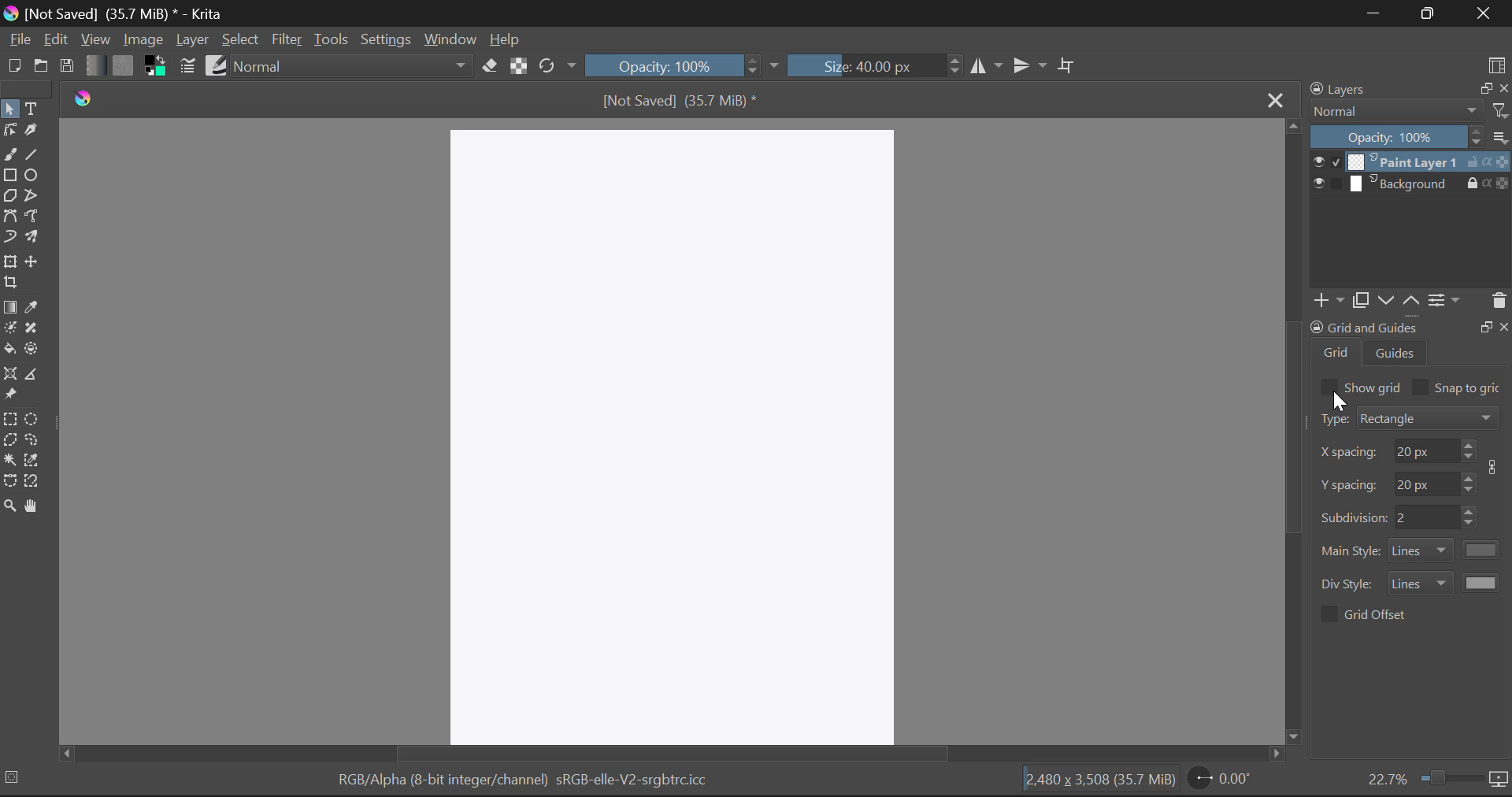 Image resolution: width=1512 pixels, height=797 pixels. Describe the element at coordinates (9, 350) in the screenshot. I see `Fill` at that location.